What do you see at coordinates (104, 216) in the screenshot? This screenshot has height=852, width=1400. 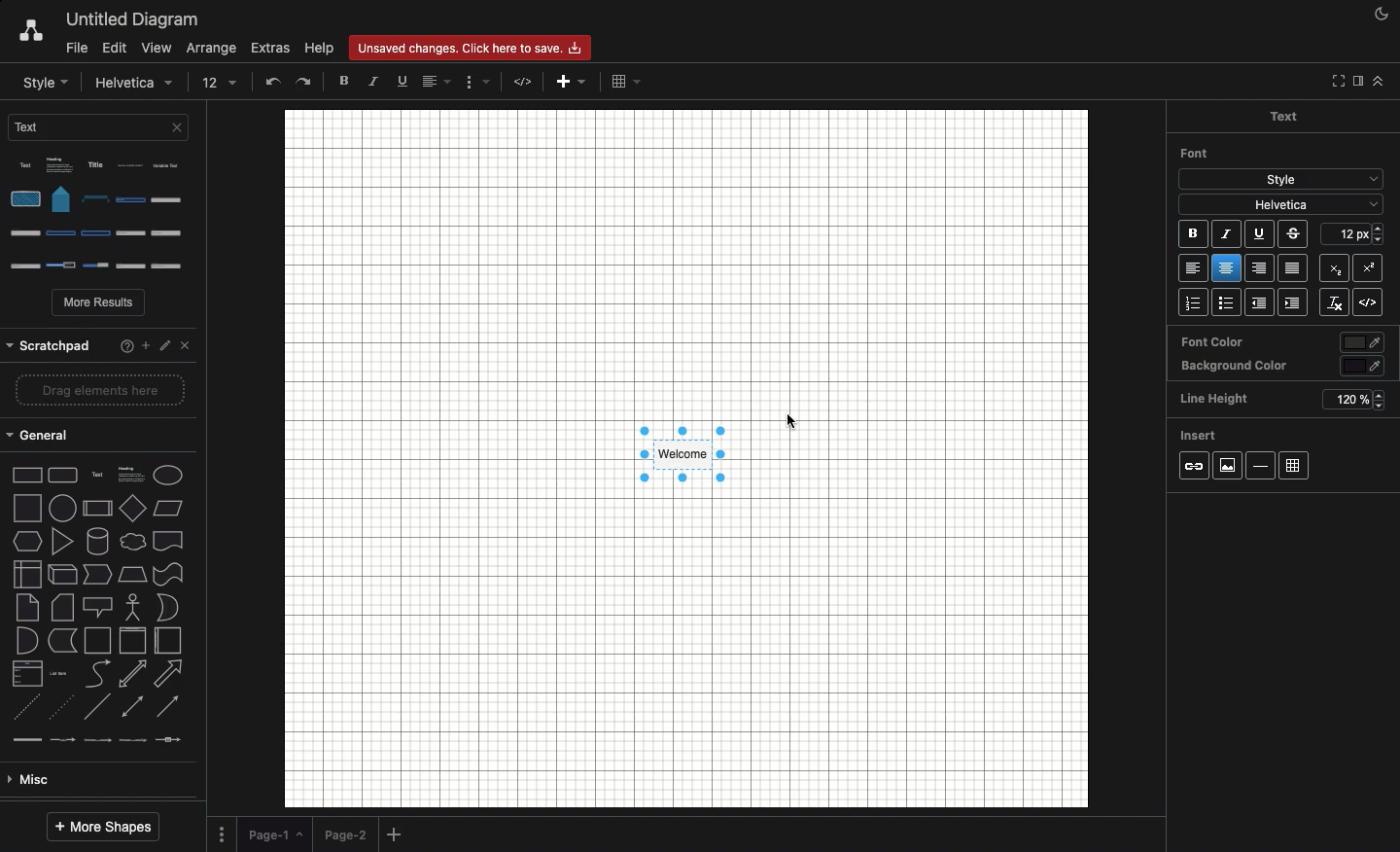 I see `Options` at bounding box center [104, 216].